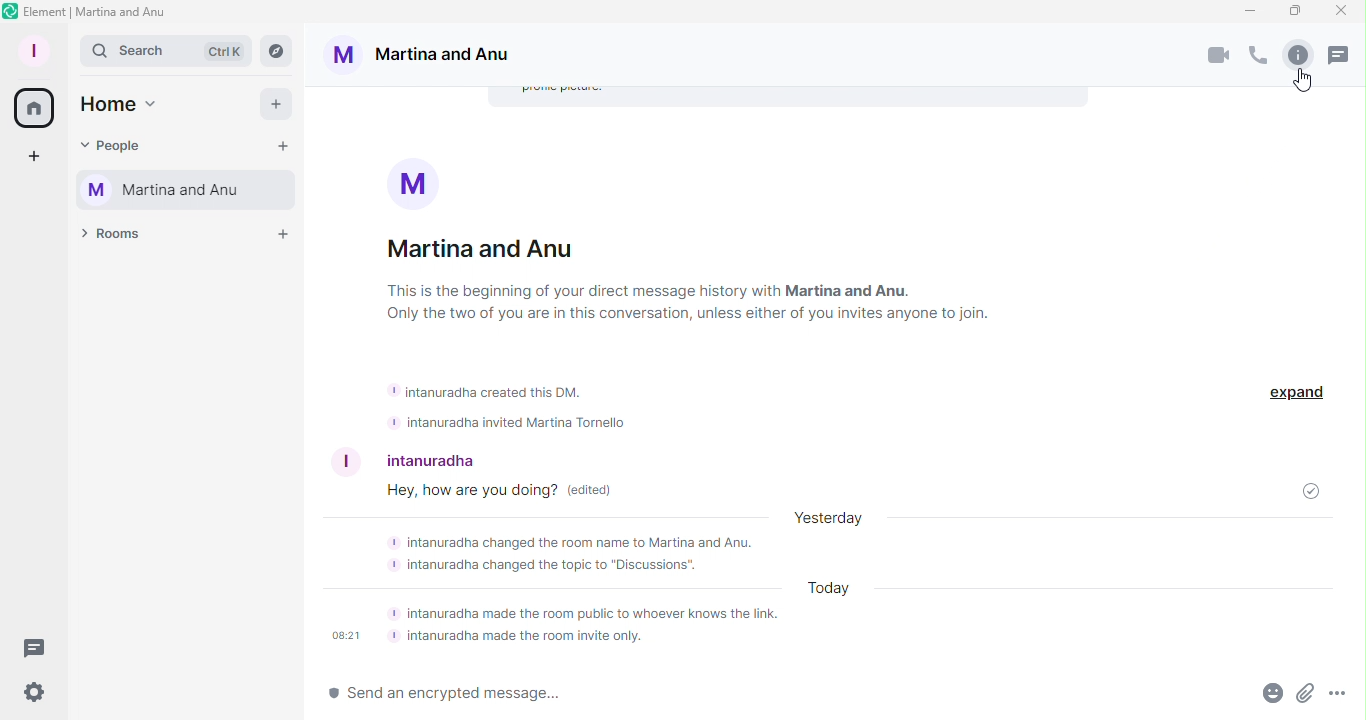 The height and width of the screenshot is (720, 1366). What do you see at coordinates (1301, 83) in the screenshot?
I see `Cursor` at bounding box center [1301, 83].